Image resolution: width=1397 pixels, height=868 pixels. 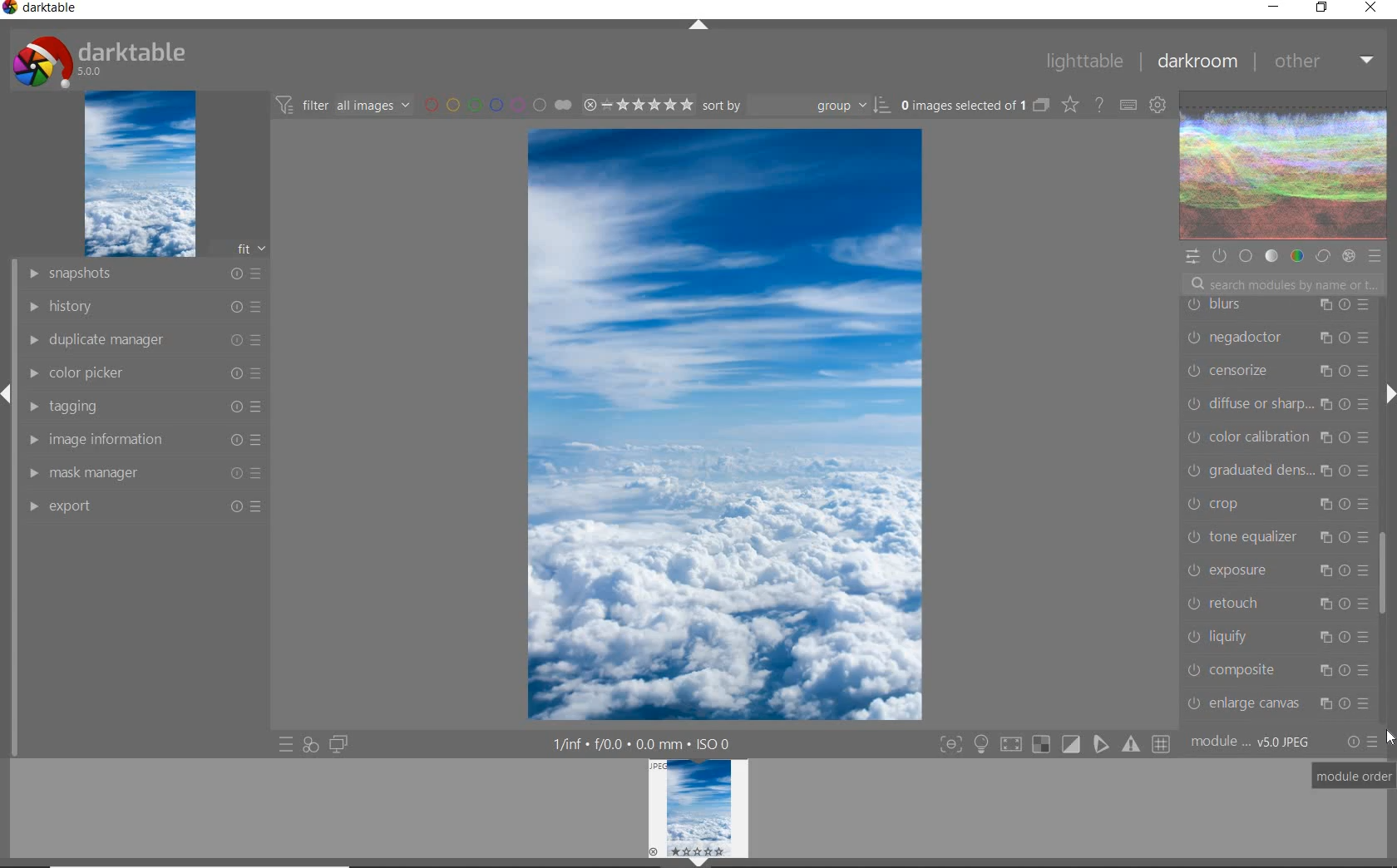 I want to click on composite, so click(x=1281, y=669).